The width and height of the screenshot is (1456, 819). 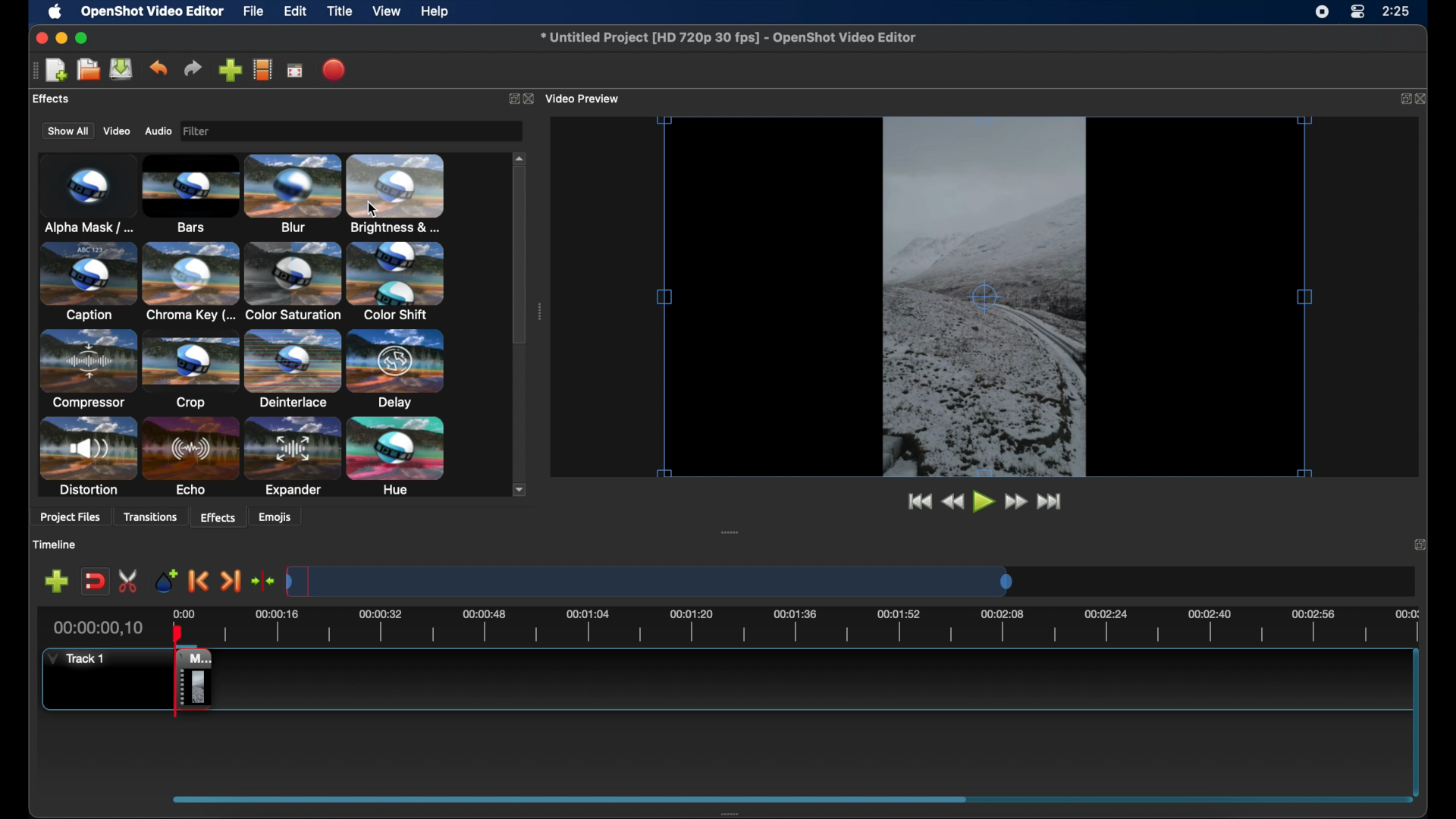 What do you see at coordinates (952, 501) in the screenshot?
I see `rewind` at bounding box center [952, 501].